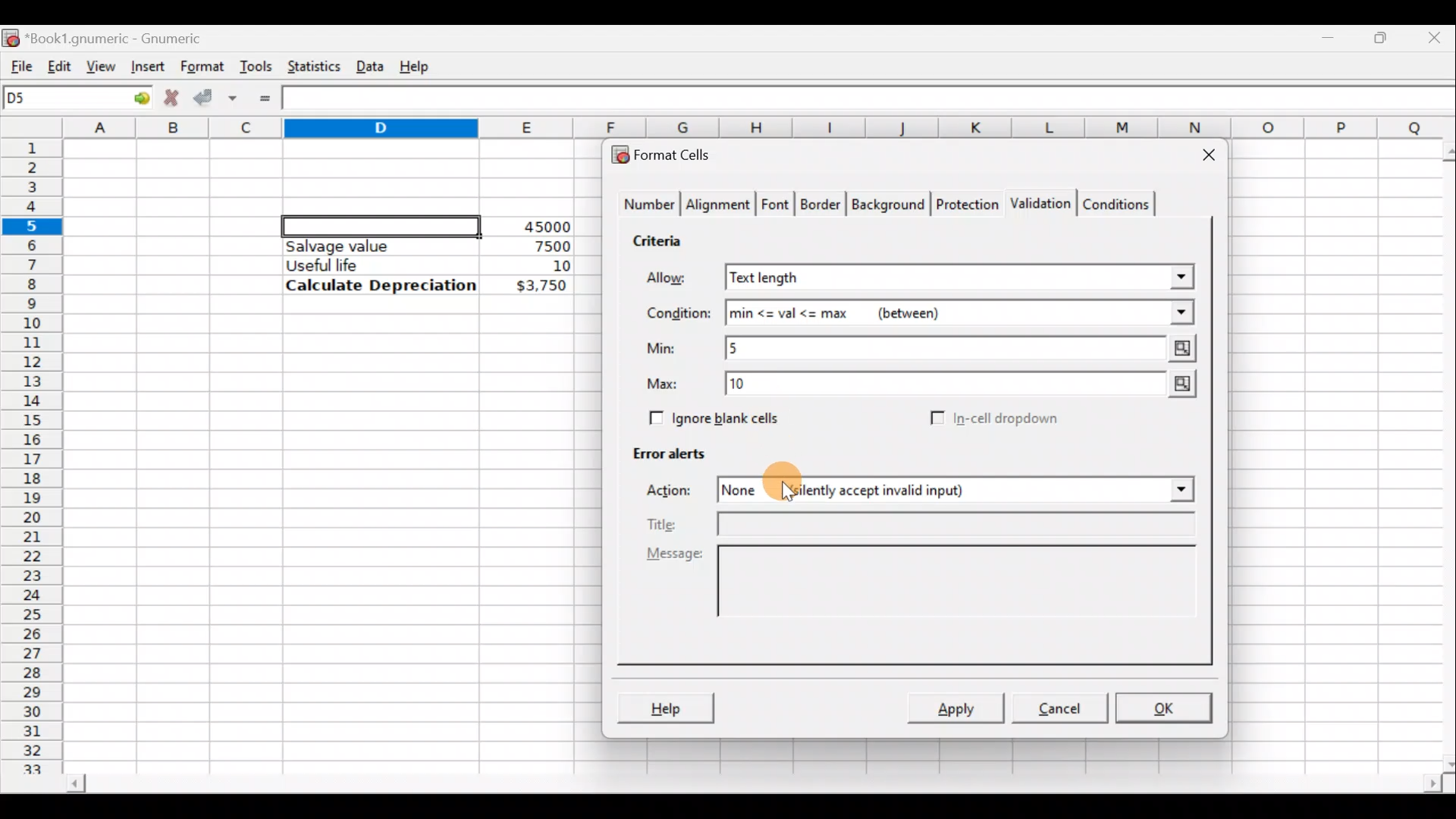 Image resolution: width=1456 pixels, height=819 pixels. I want to click on Protection, so click(964, 206).